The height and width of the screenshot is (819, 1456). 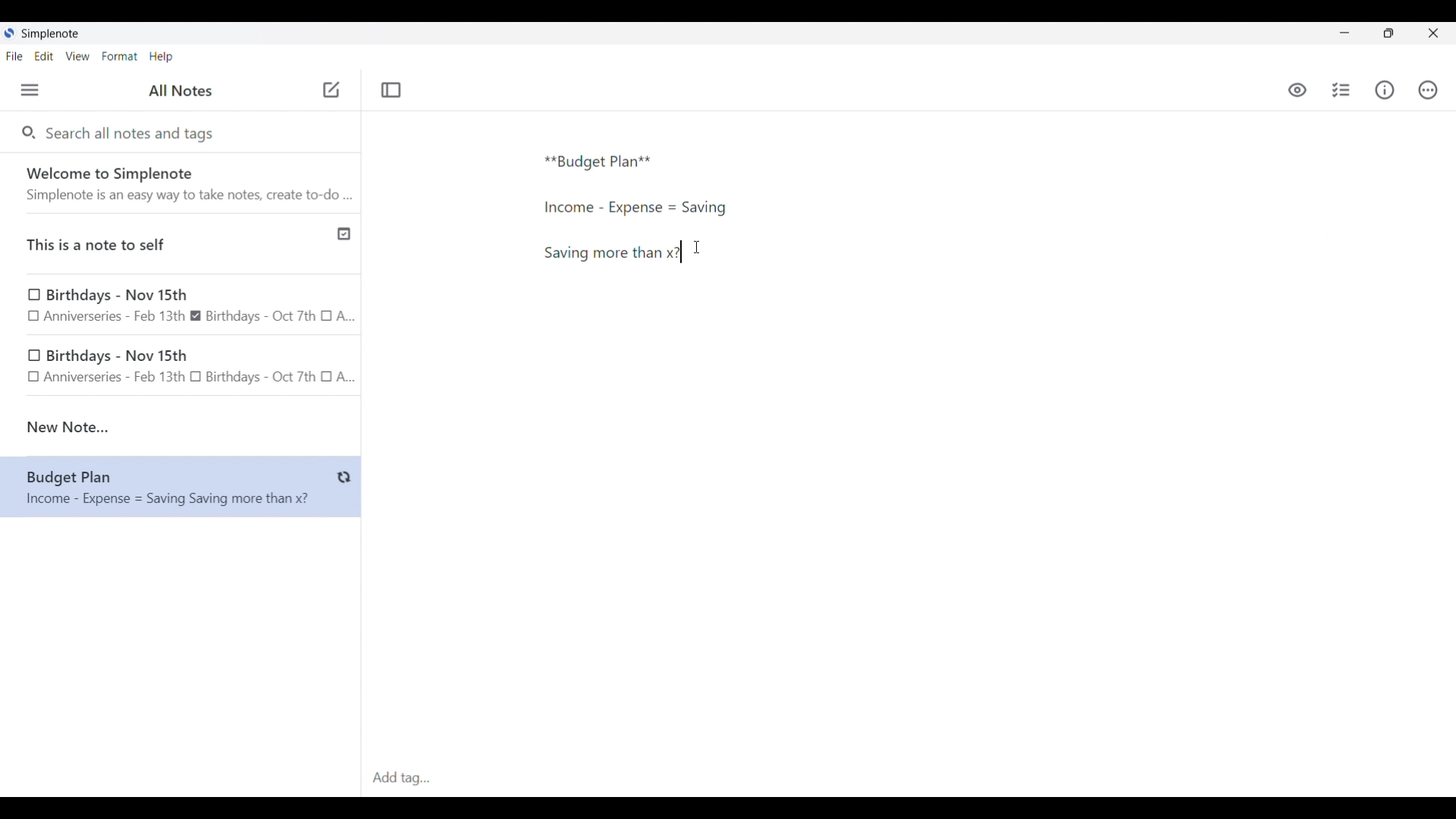 I want to click on Show interface in a smaller tab, so click(x=1389, y=33).